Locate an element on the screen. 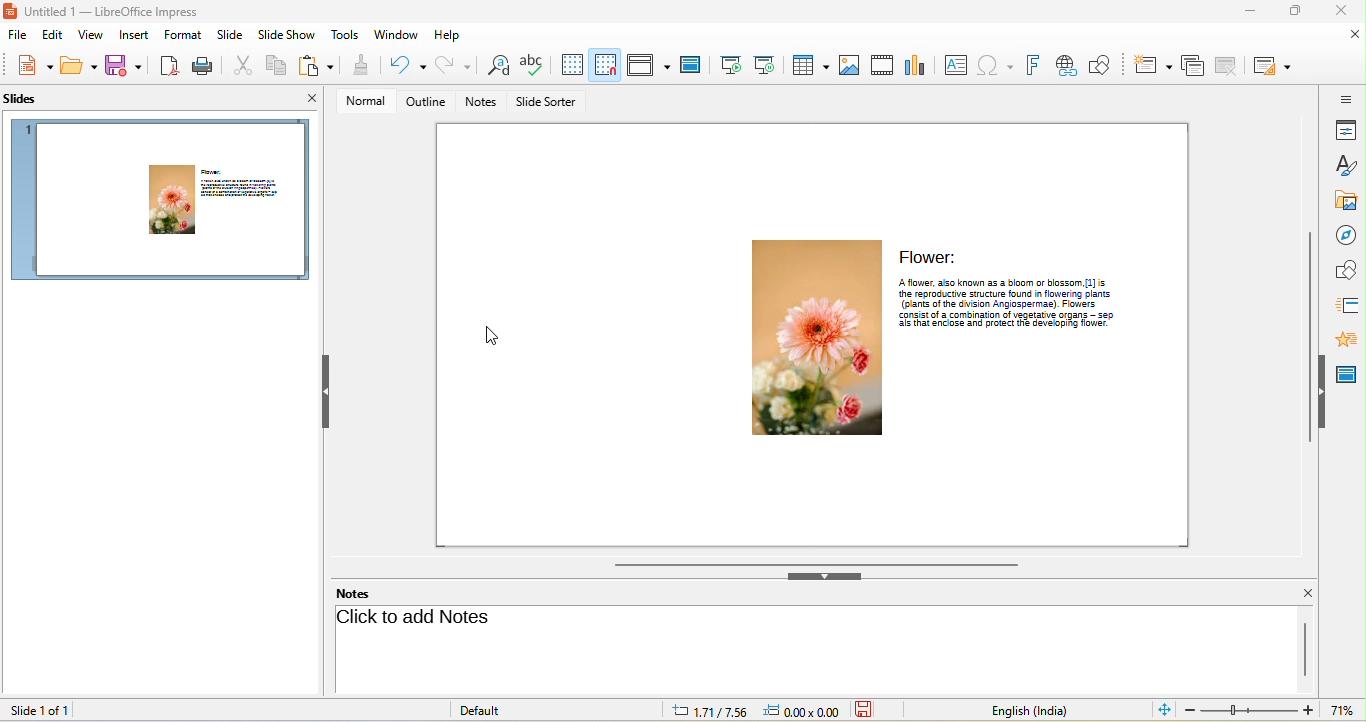  video/audio is located at coordinates (882, 65).